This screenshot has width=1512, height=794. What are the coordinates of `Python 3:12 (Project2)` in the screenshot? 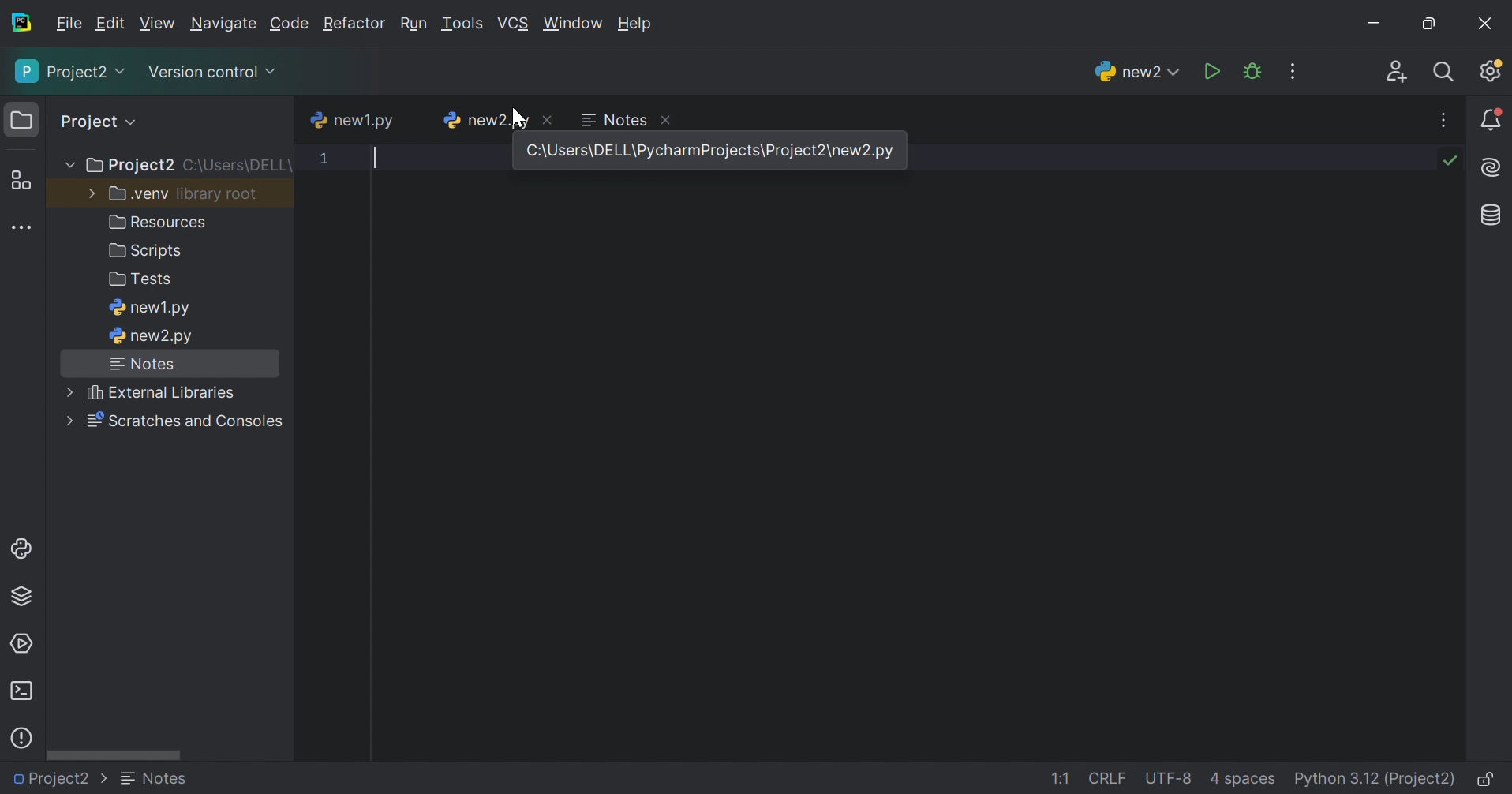 It's located at (1376, 780).